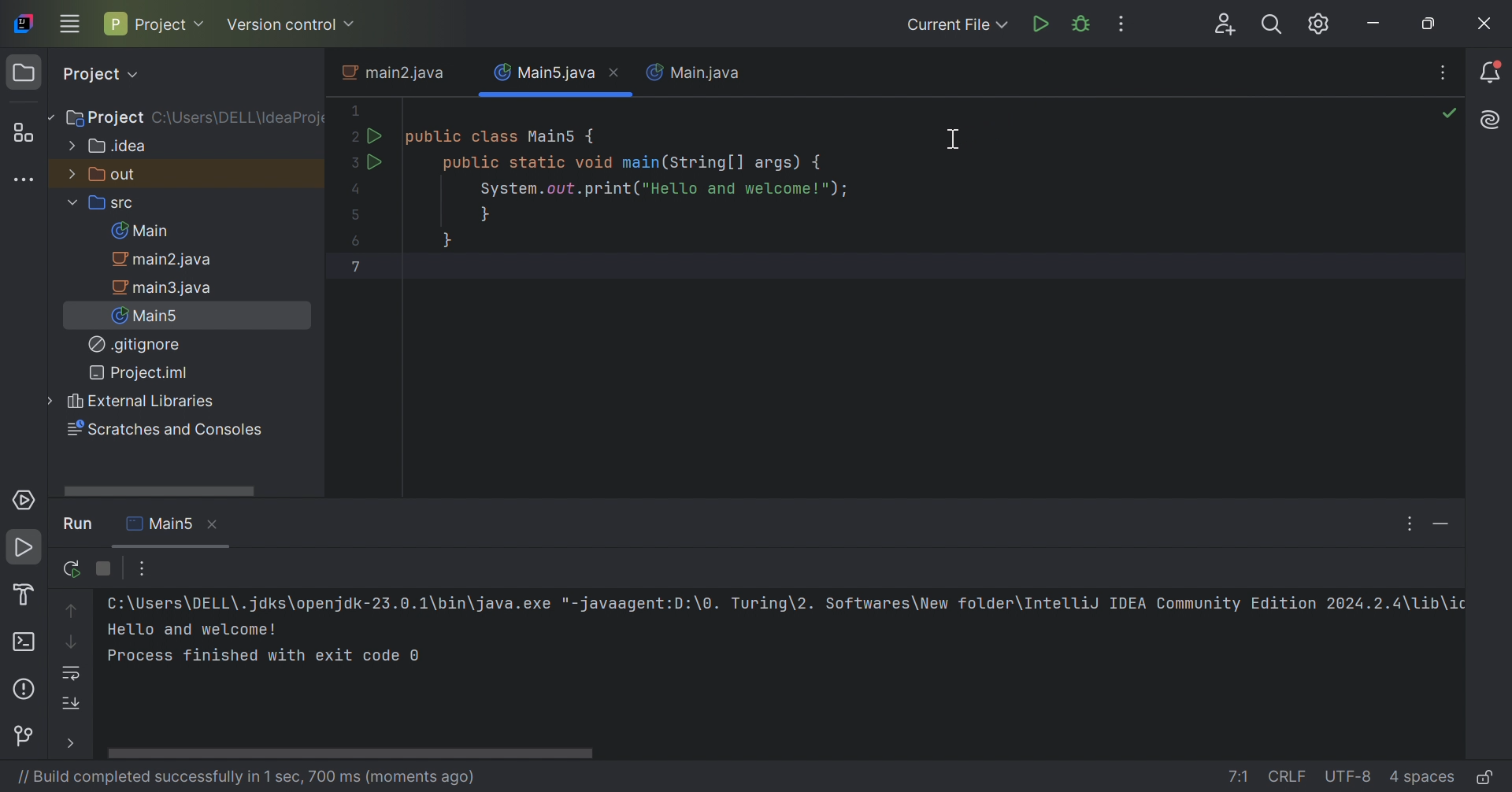 This screenshot has width=1512, height=792. What do you see at coordinates (1289, 775) in the screenshot?
I see `CRLF` at bounding box center [1289, 775].